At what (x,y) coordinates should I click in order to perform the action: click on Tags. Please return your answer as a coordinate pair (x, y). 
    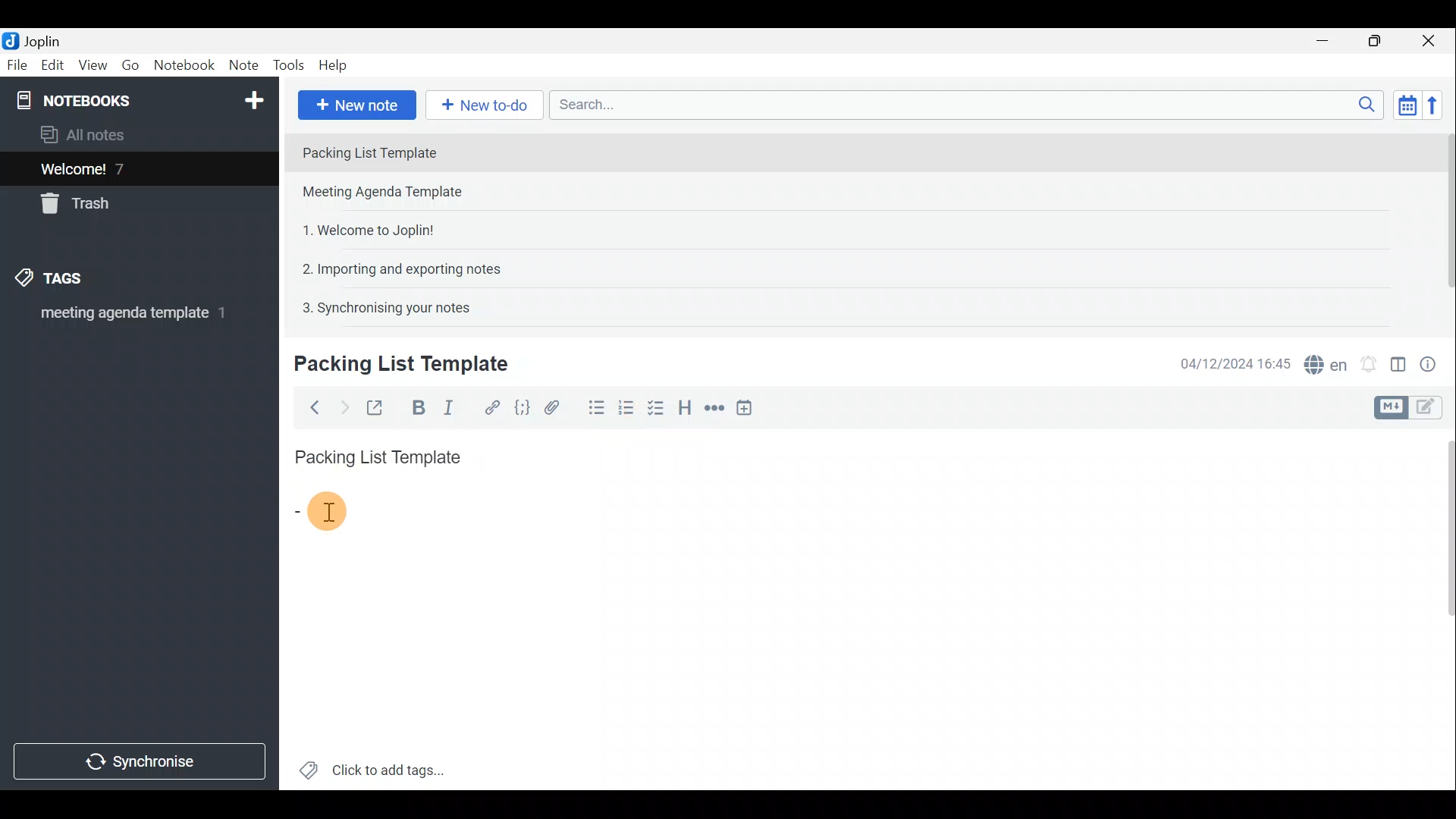
    Looking at the image, I should click on (74, 281).